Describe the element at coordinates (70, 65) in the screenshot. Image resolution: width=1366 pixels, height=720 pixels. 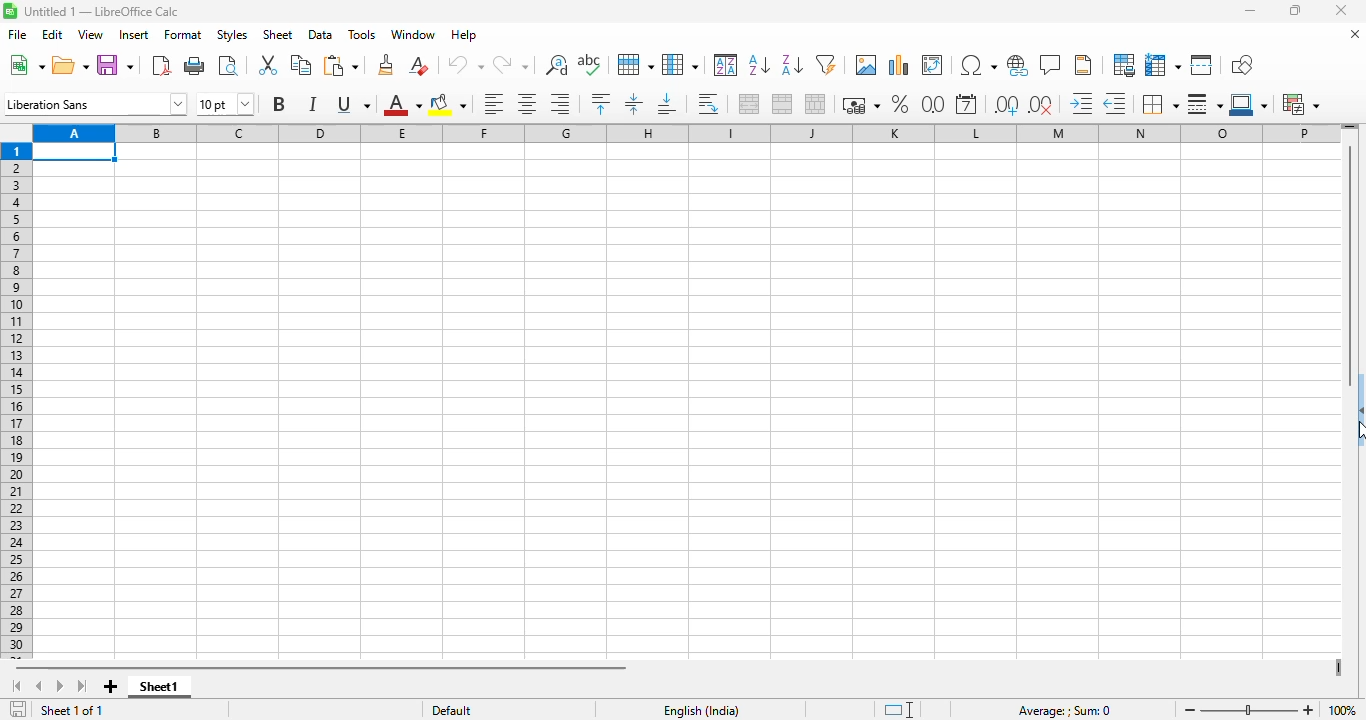
I see `open` at that location.